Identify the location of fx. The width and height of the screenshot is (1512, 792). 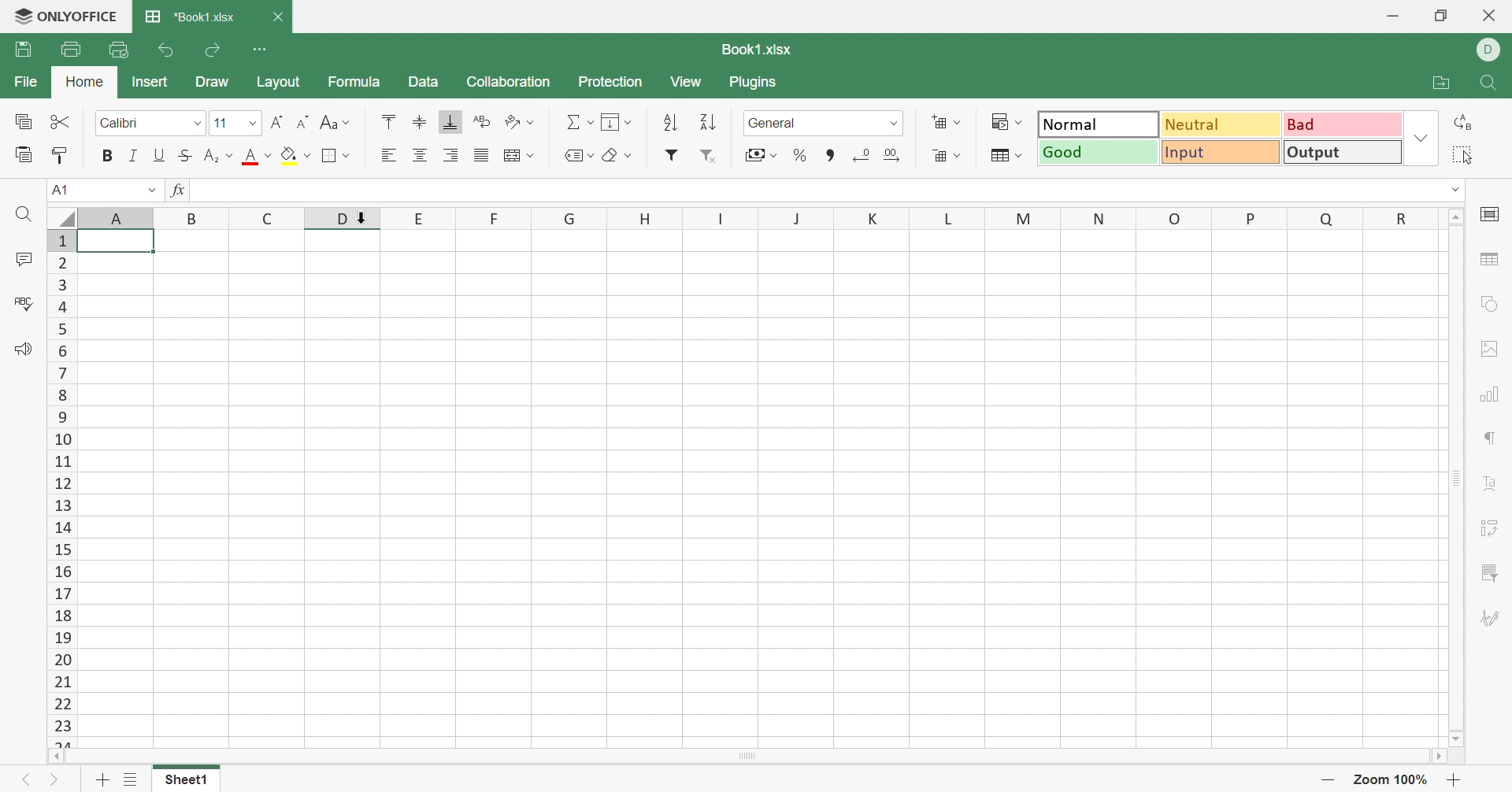
(178, 191).